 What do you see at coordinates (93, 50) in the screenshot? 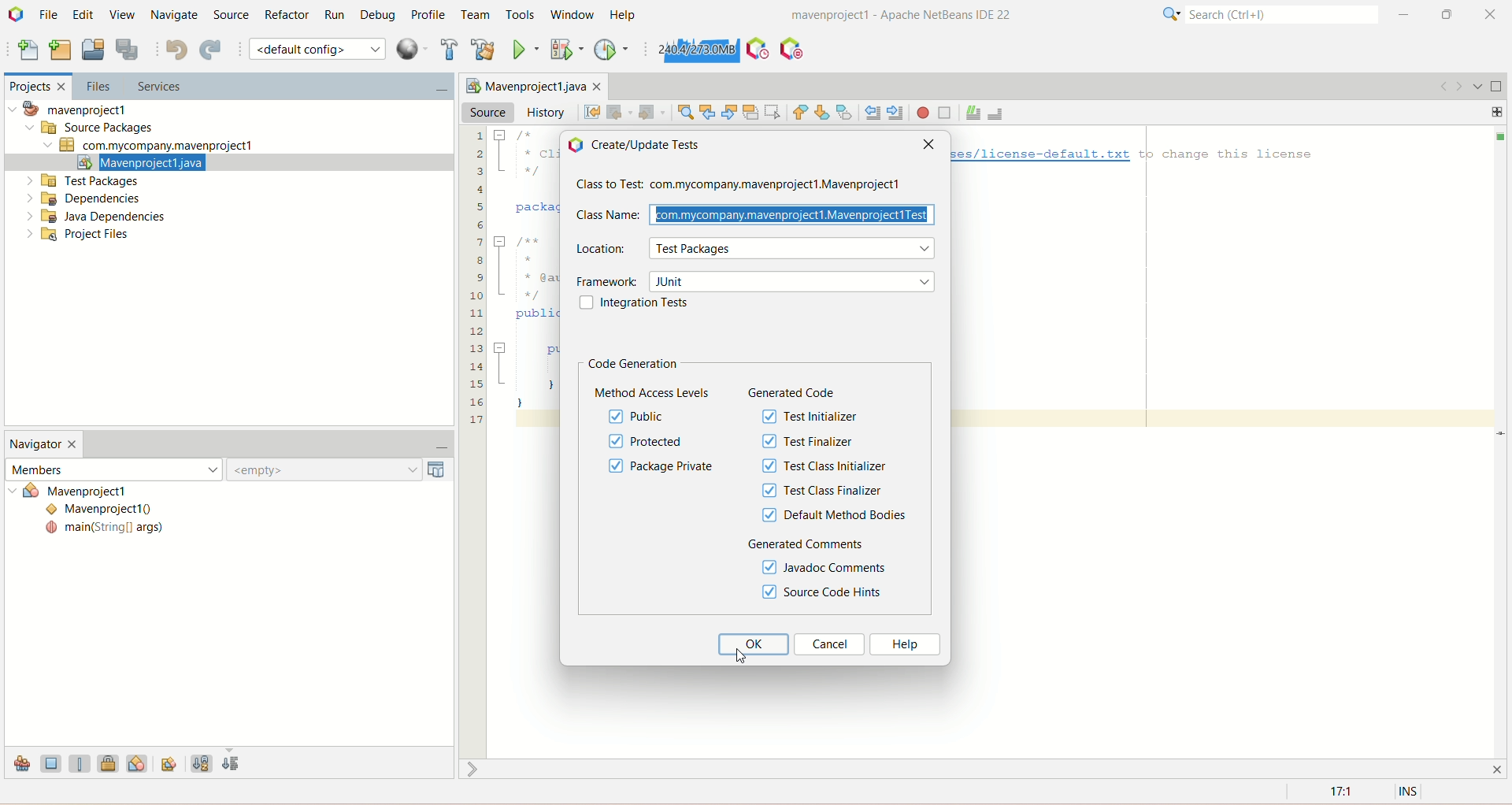
I see `open project` at bounding box center [93, 50].